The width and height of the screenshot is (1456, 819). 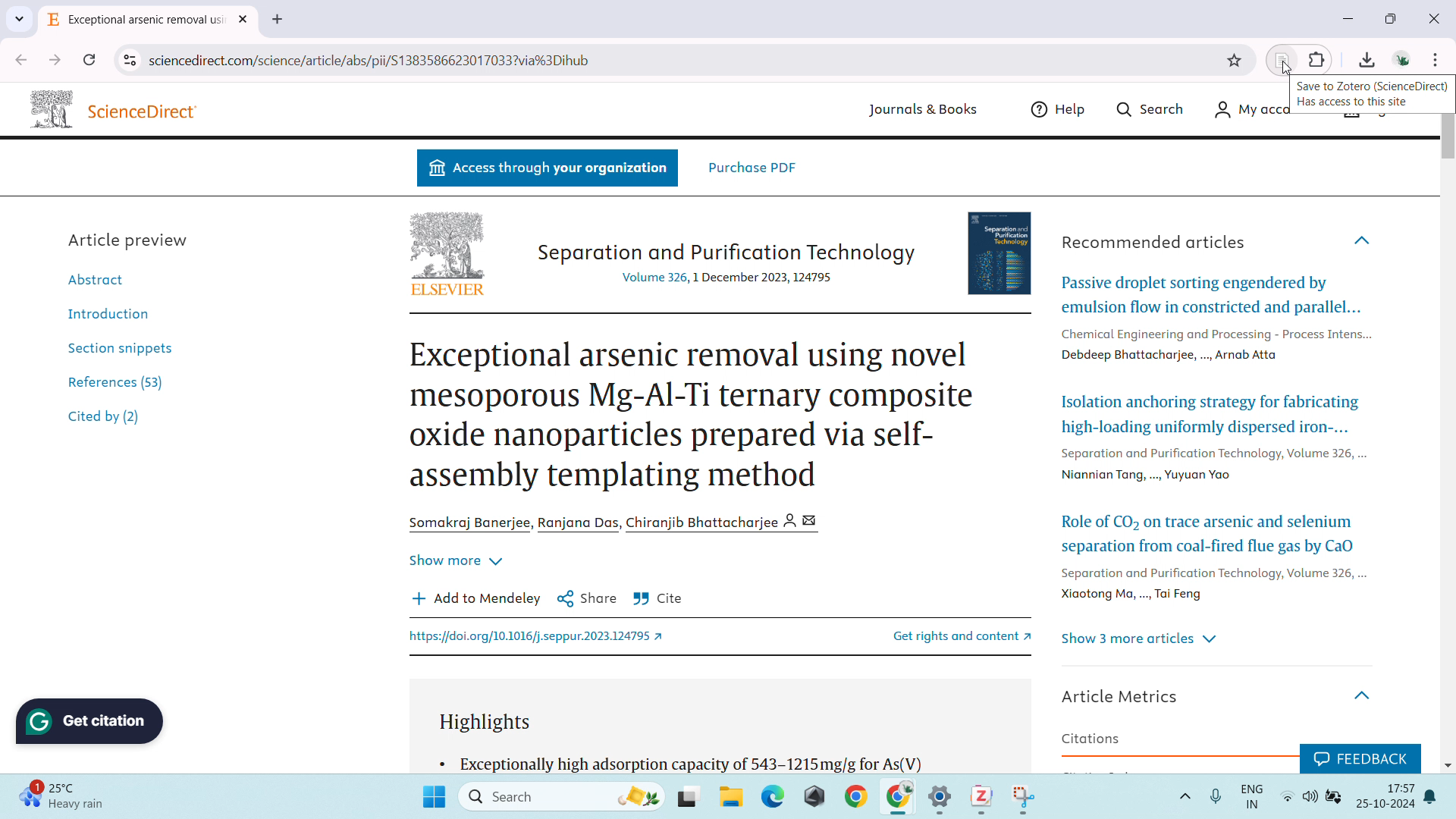 What do you see at coordinates (1359, 756) in the screenshot?
I see `Feedback` at bounding box center [1359, 756].